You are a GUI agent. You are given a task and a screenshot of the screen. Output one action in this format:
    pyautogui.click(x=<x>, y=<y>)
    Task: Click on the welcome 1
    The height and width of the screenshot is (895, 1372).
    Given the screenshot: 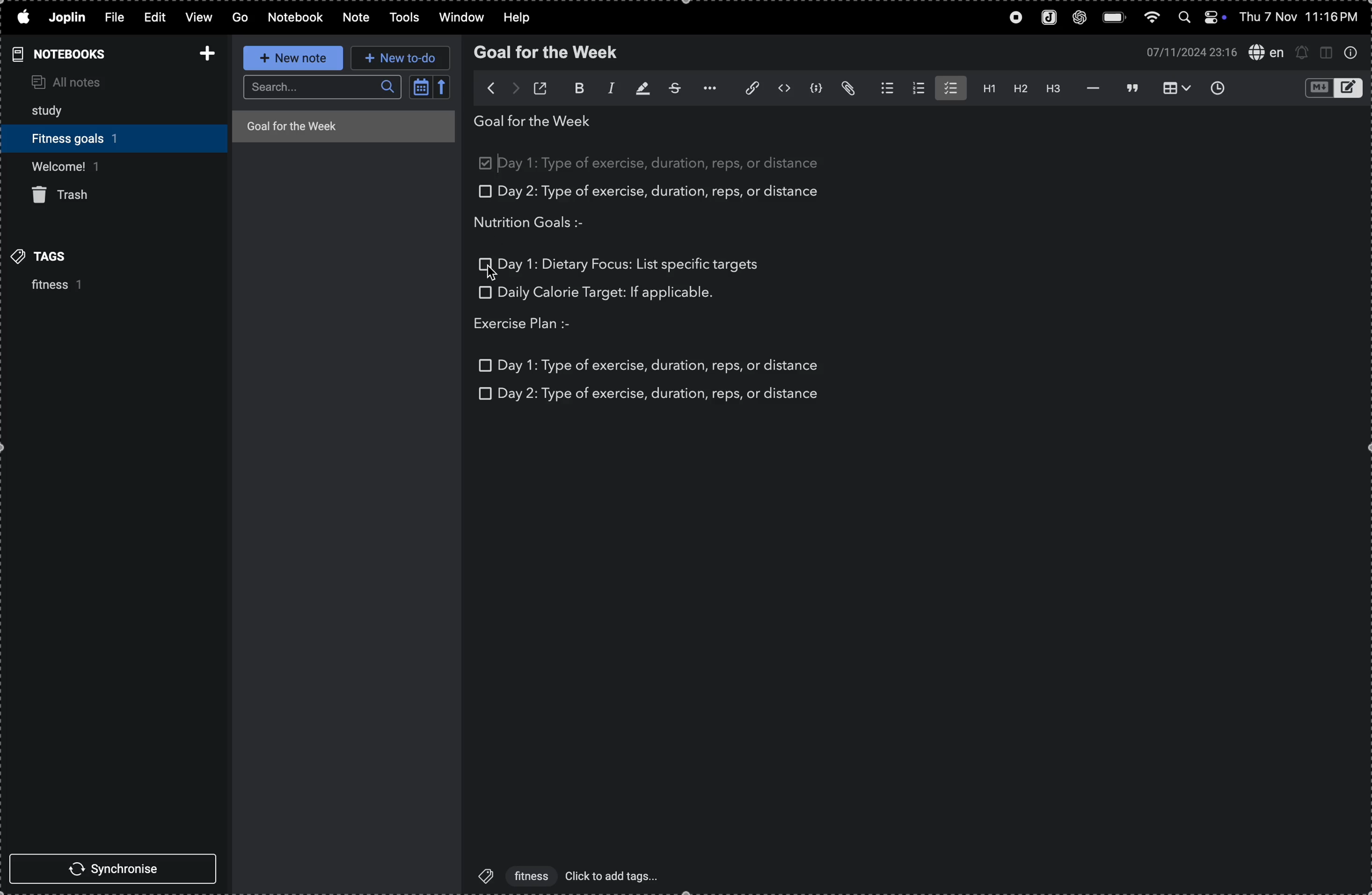 What is the action you would take?
    pyautogui.click(x=107, y=166)
    